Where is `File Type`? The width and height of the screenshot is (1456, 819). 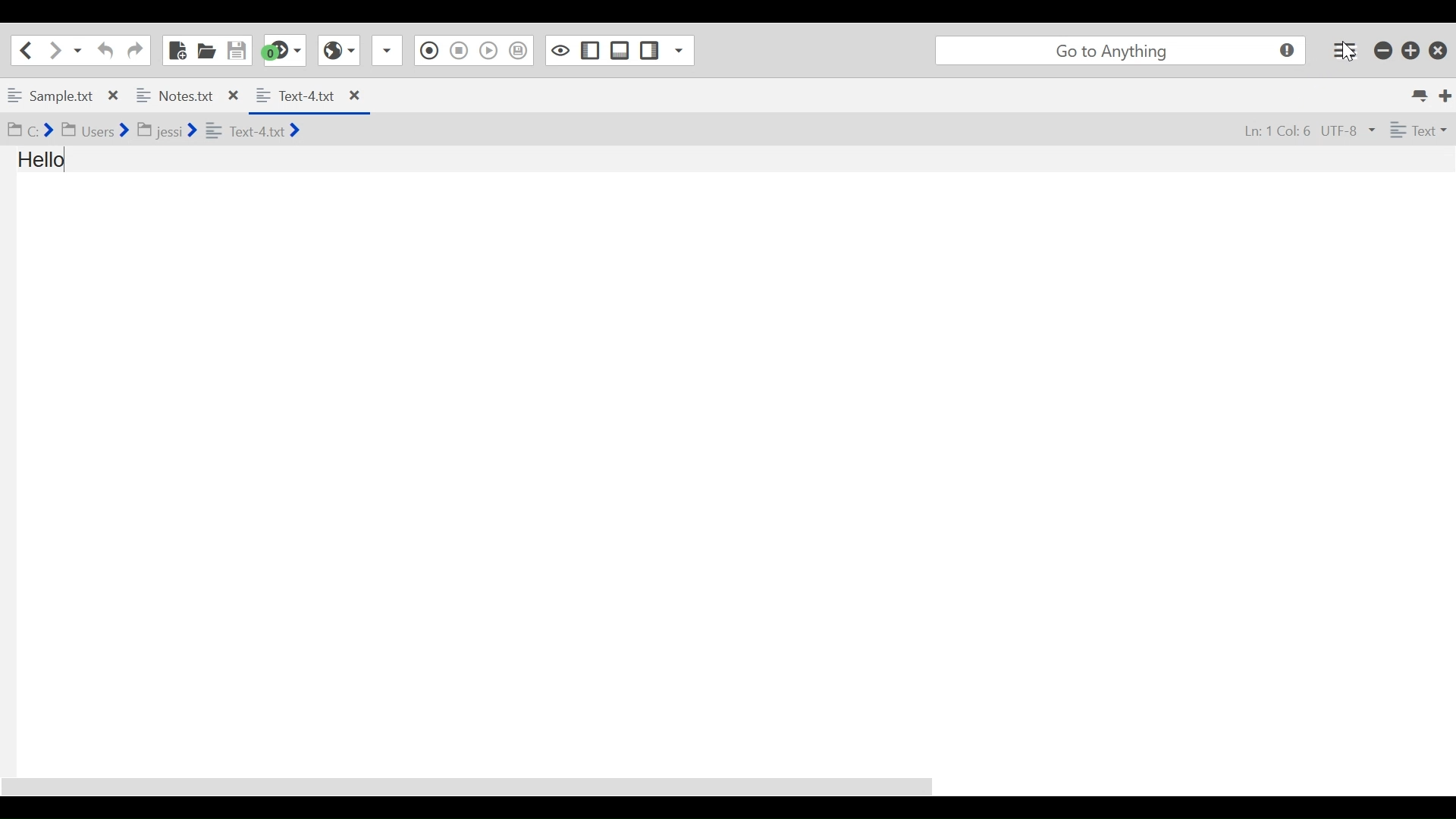 File Type is located at coordinates (1419, 129).